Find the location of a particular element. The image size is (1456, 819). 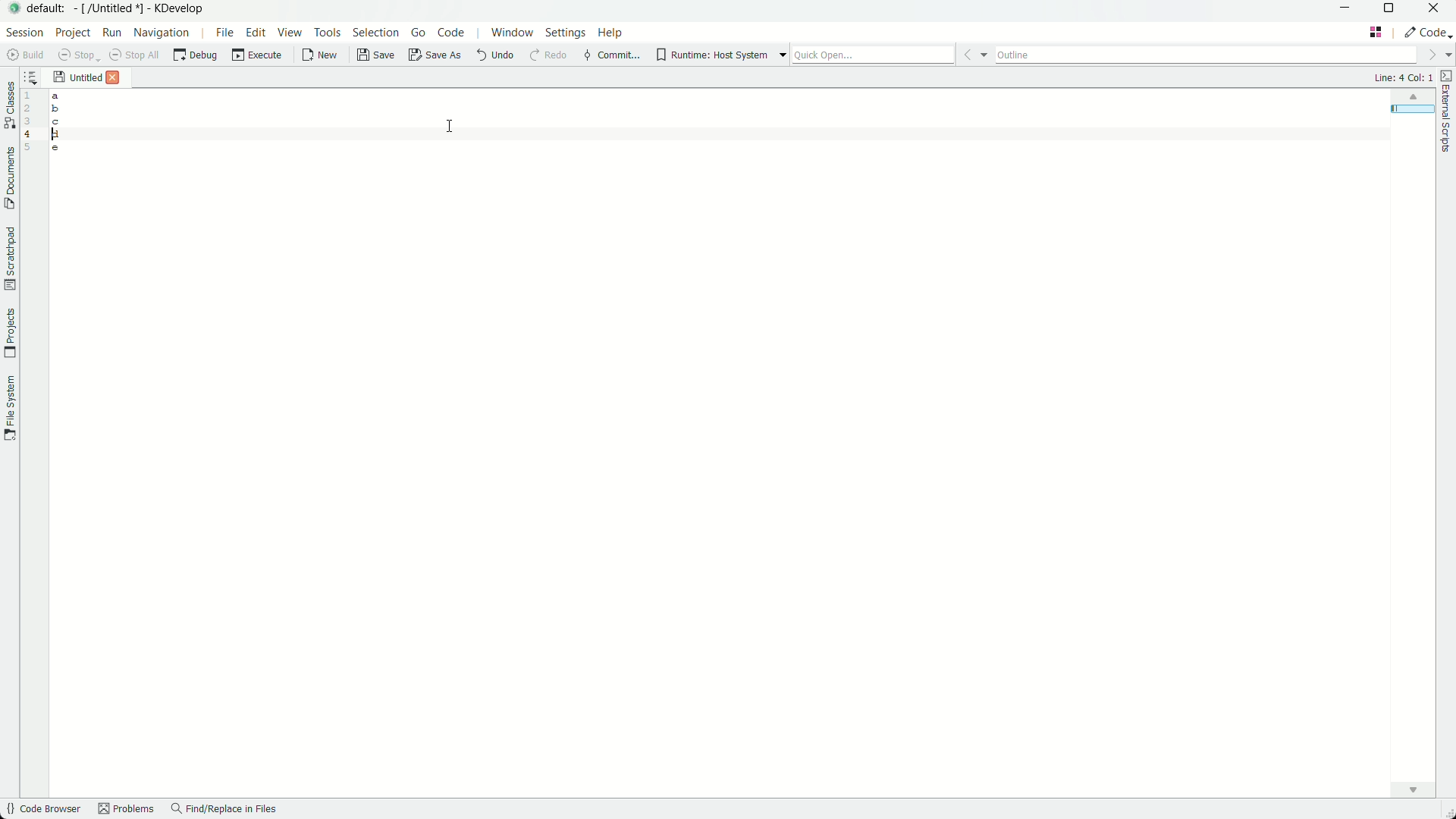

project is located at coordinates (72, 33).